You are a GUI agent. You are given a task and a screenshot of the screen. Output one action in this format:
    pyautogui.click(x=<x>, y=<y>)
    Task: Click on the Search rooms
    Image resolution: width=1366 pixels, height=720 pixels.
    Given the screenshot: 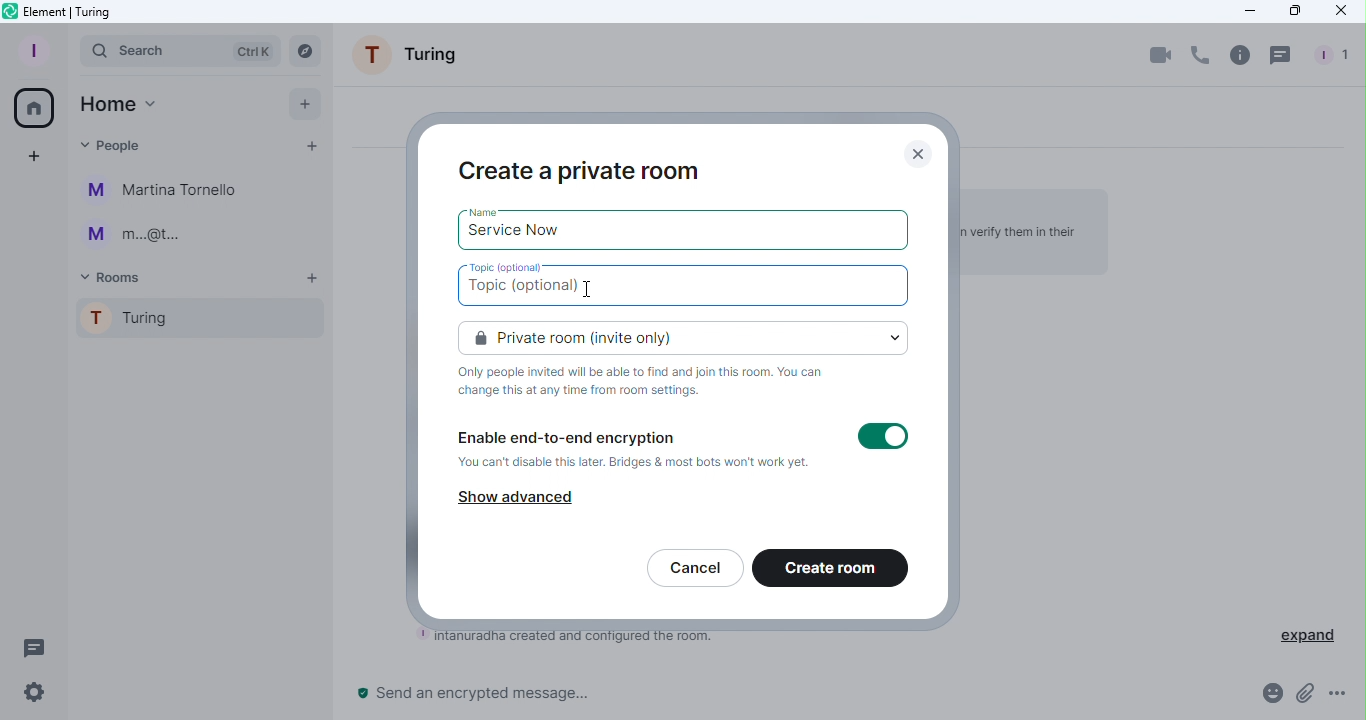 What is the action you would take?
    pyautogui.click(x=308, y=51)
    